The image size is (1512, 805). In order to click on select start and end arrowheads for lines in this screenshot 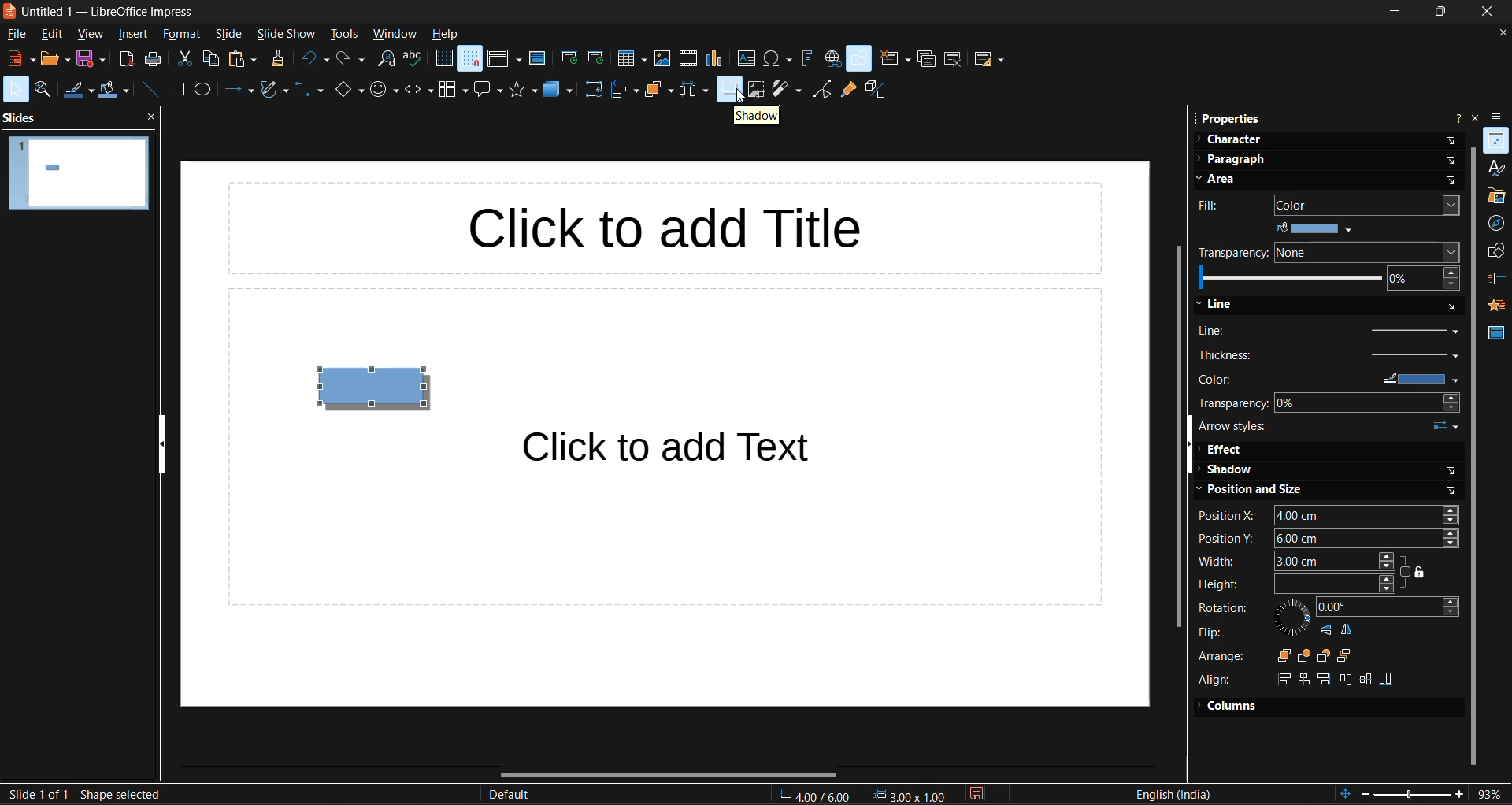, I will do `click(1445, 428)`.